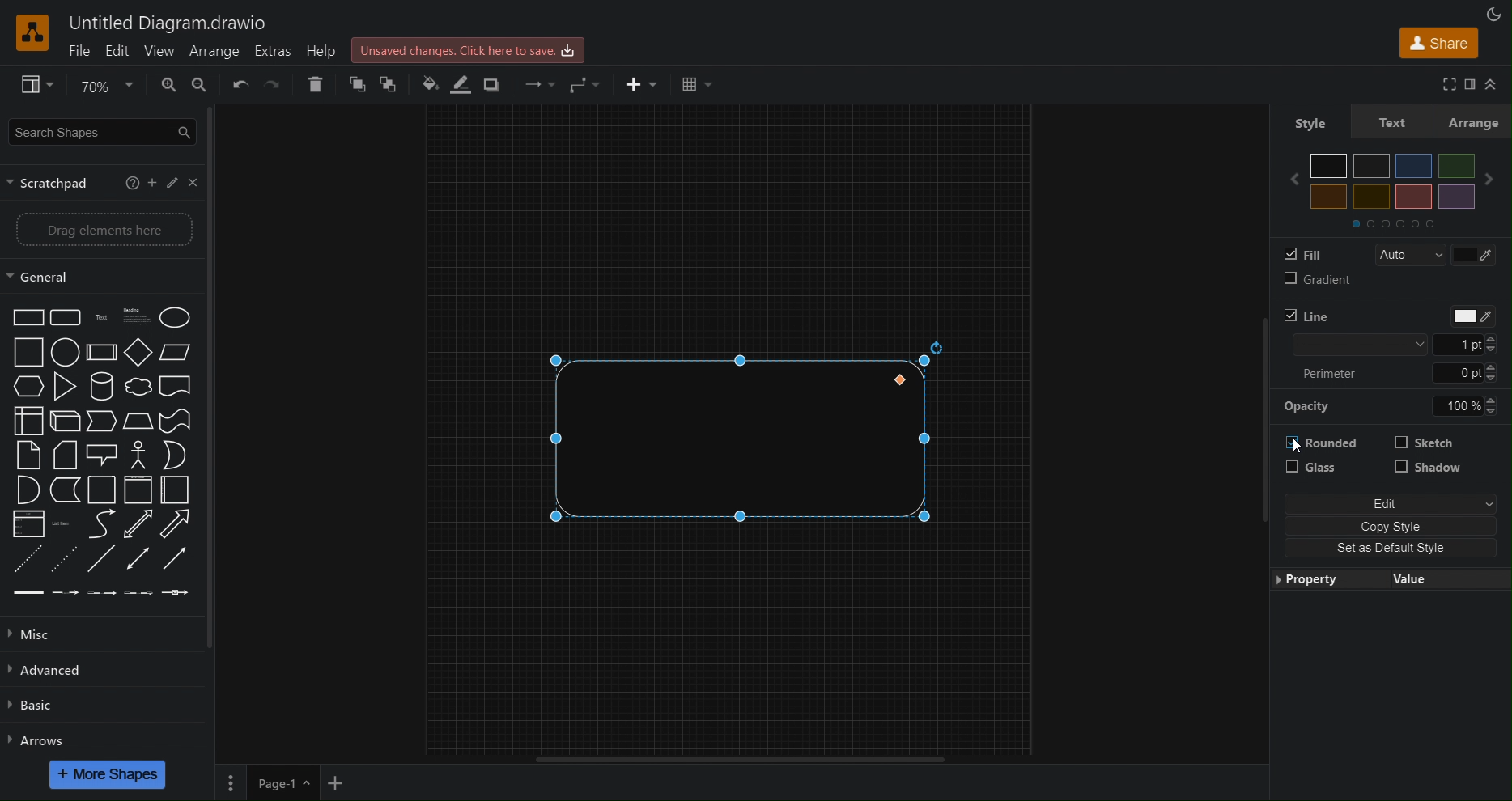  Describe the element at coordinates (1491, 13) in the screenshot. I see `Appearance` at that location.